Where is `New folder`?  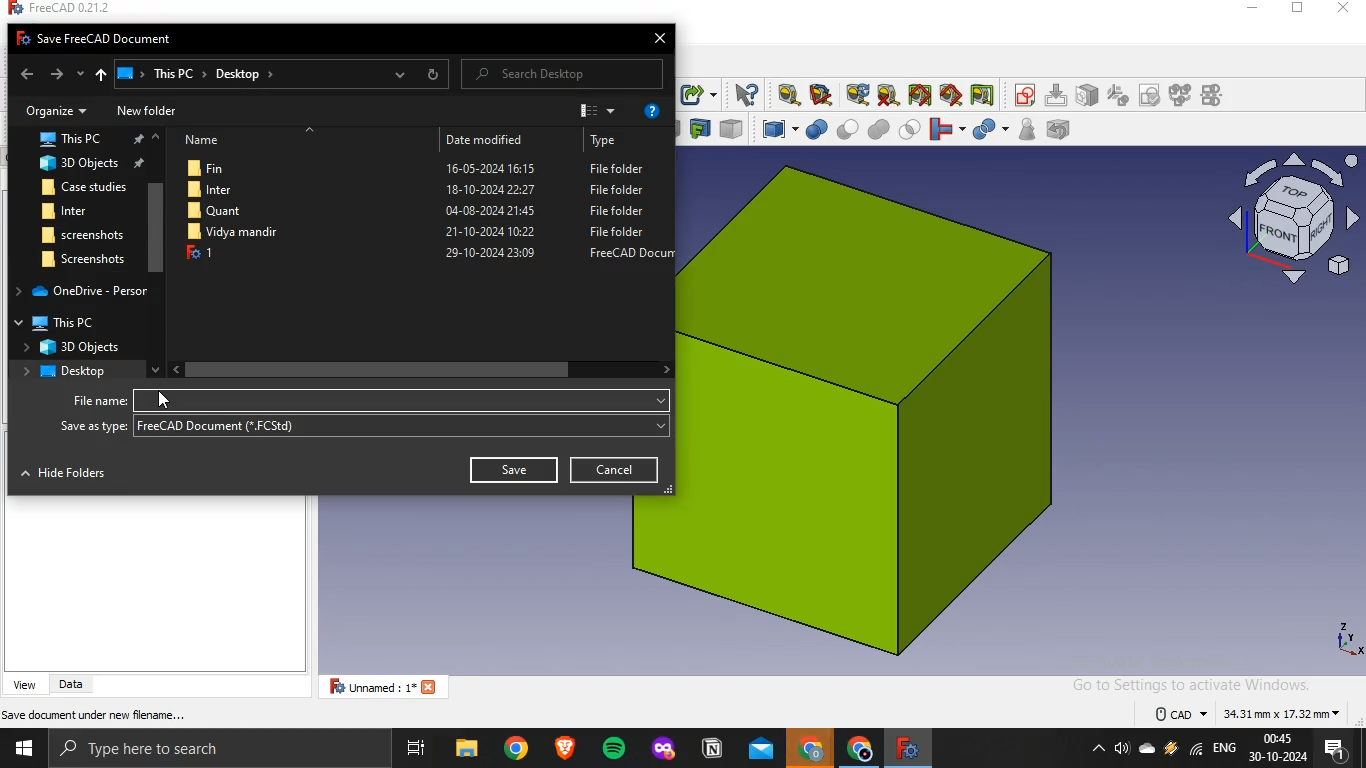
New folder is located at coordinates (148, 111).